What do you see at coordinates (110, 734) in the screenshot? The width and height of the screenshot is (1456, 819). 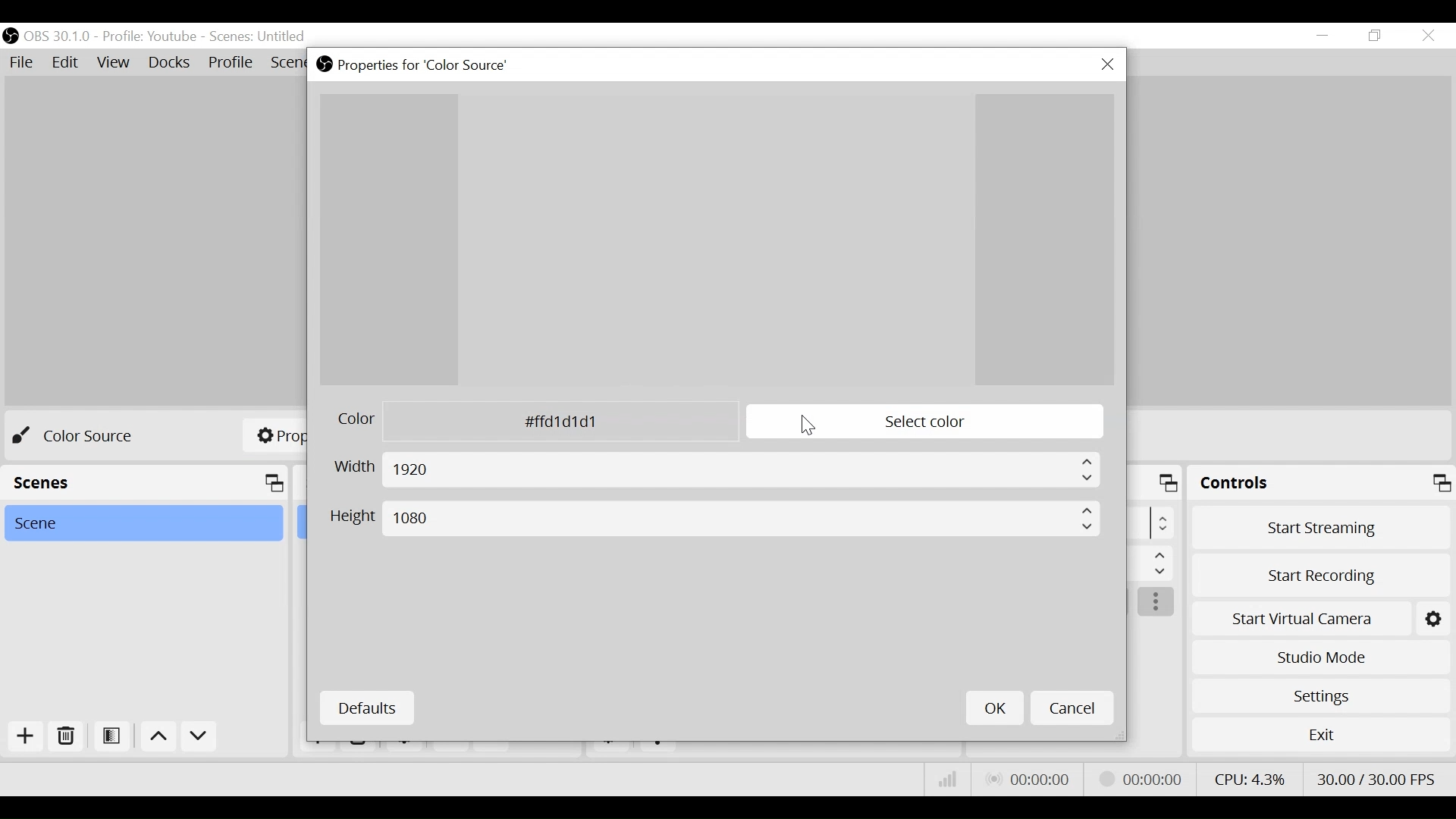 I see `Open Scene Filter` at bounding box center [110, 734].